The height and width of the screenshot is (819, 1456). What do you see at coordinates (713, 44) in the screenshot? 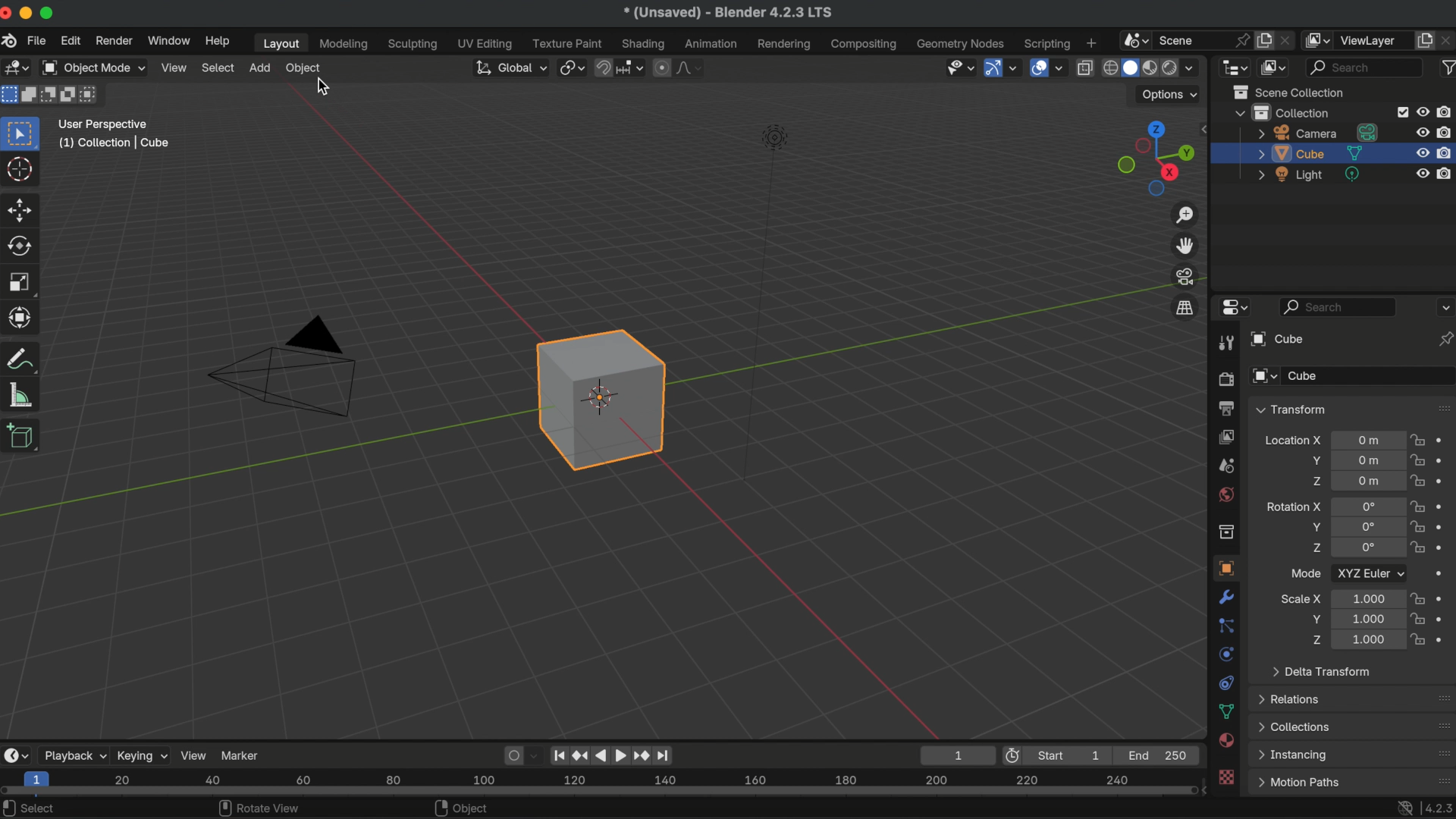
I see `animation` at bounding box center [713, 44].